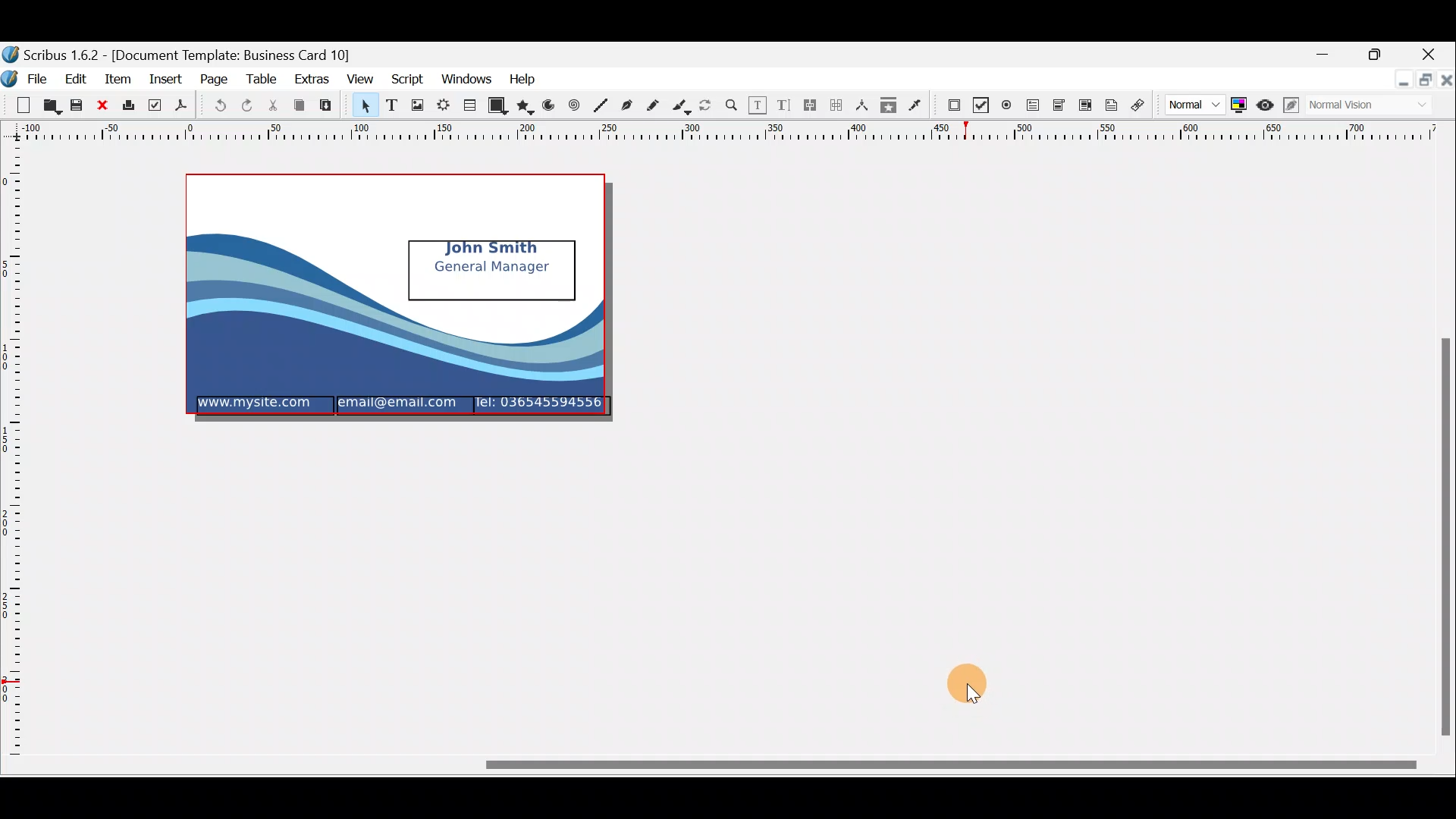 This screenshot has height=819, width=1456. I want to click on Help, so click(526, 79).